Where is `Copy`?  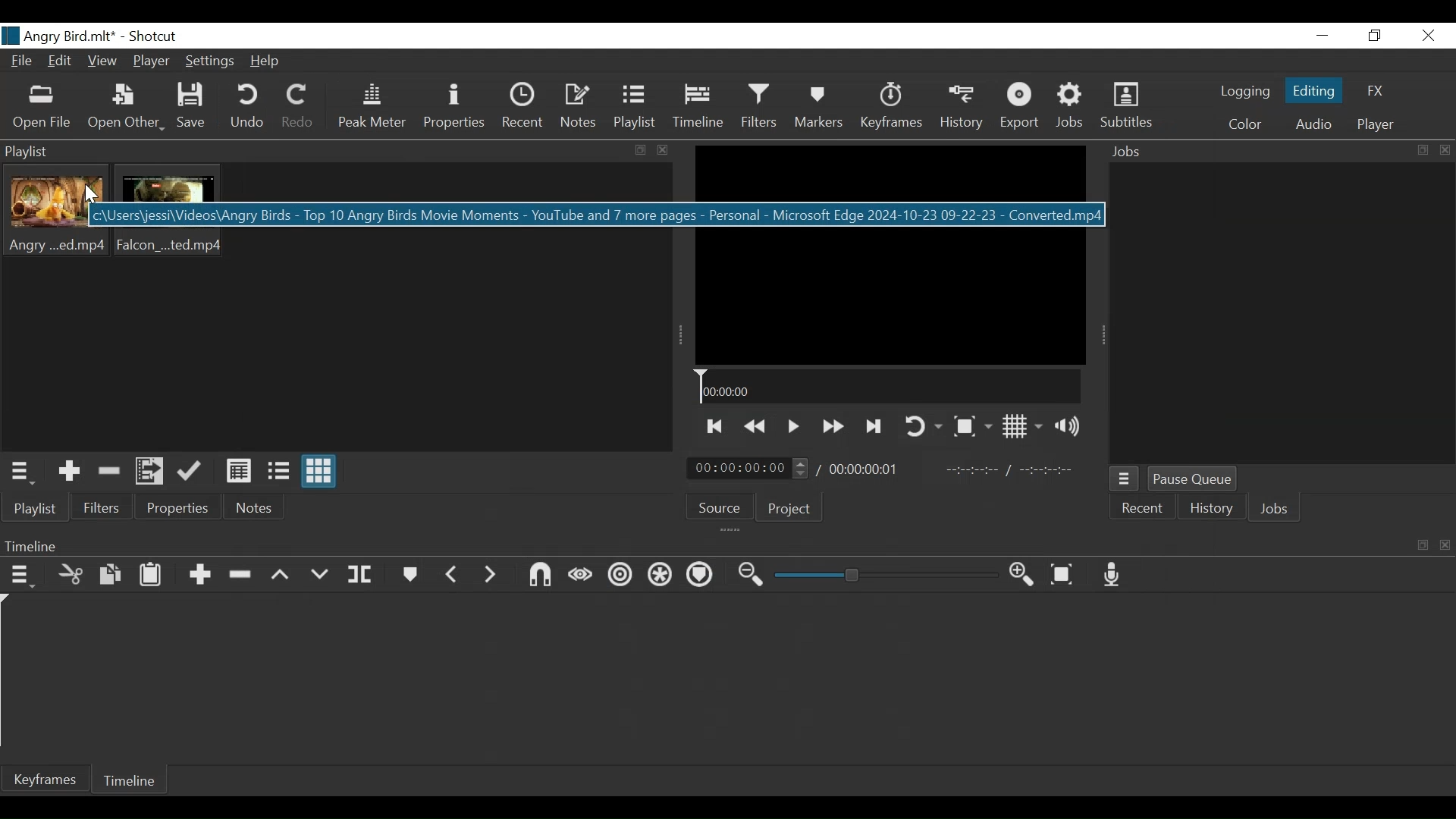 Copy is located at coordinates (113, 576).